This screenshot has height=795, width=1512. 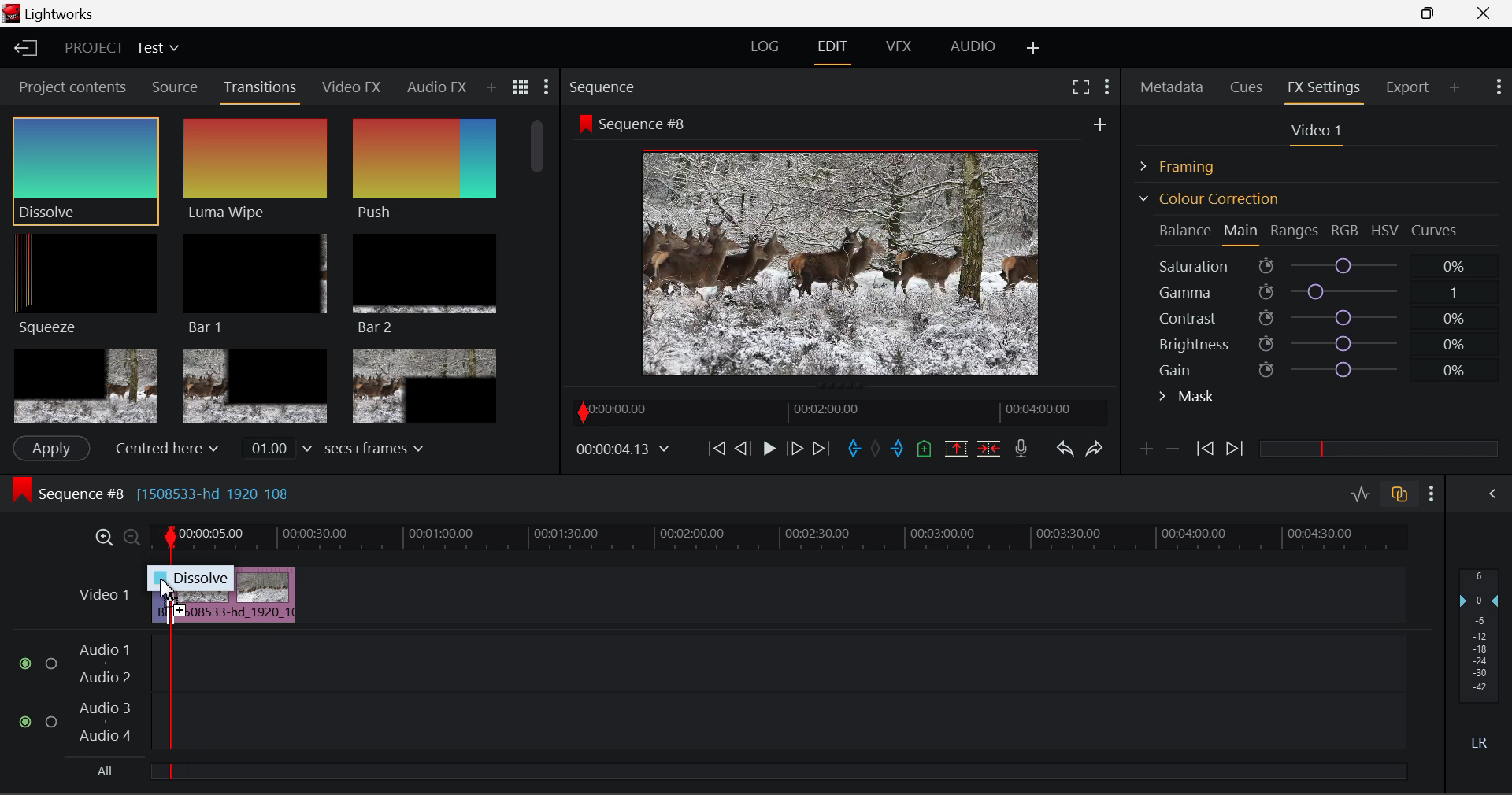 I want to click on AUDIO Layout, so click(x=972, y=46).